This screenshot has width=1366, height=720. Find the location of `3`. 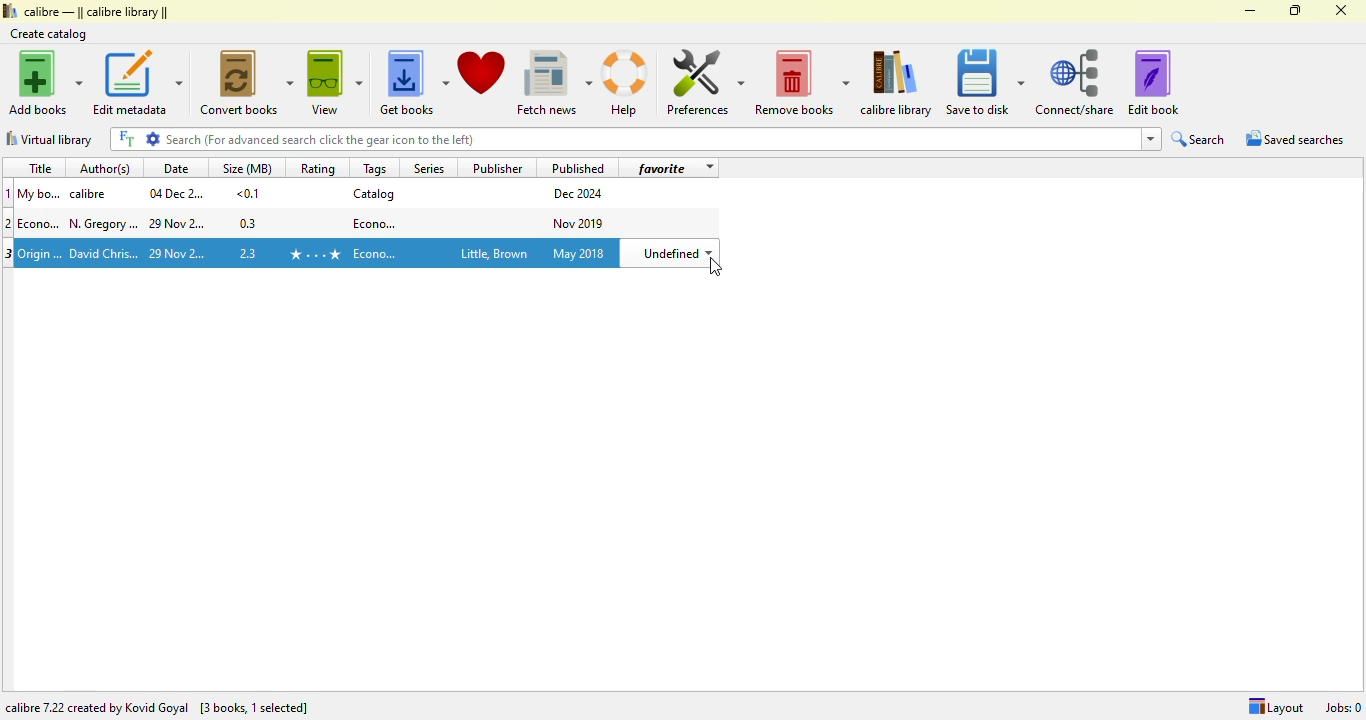

3 is located at coordinates (9, 254).